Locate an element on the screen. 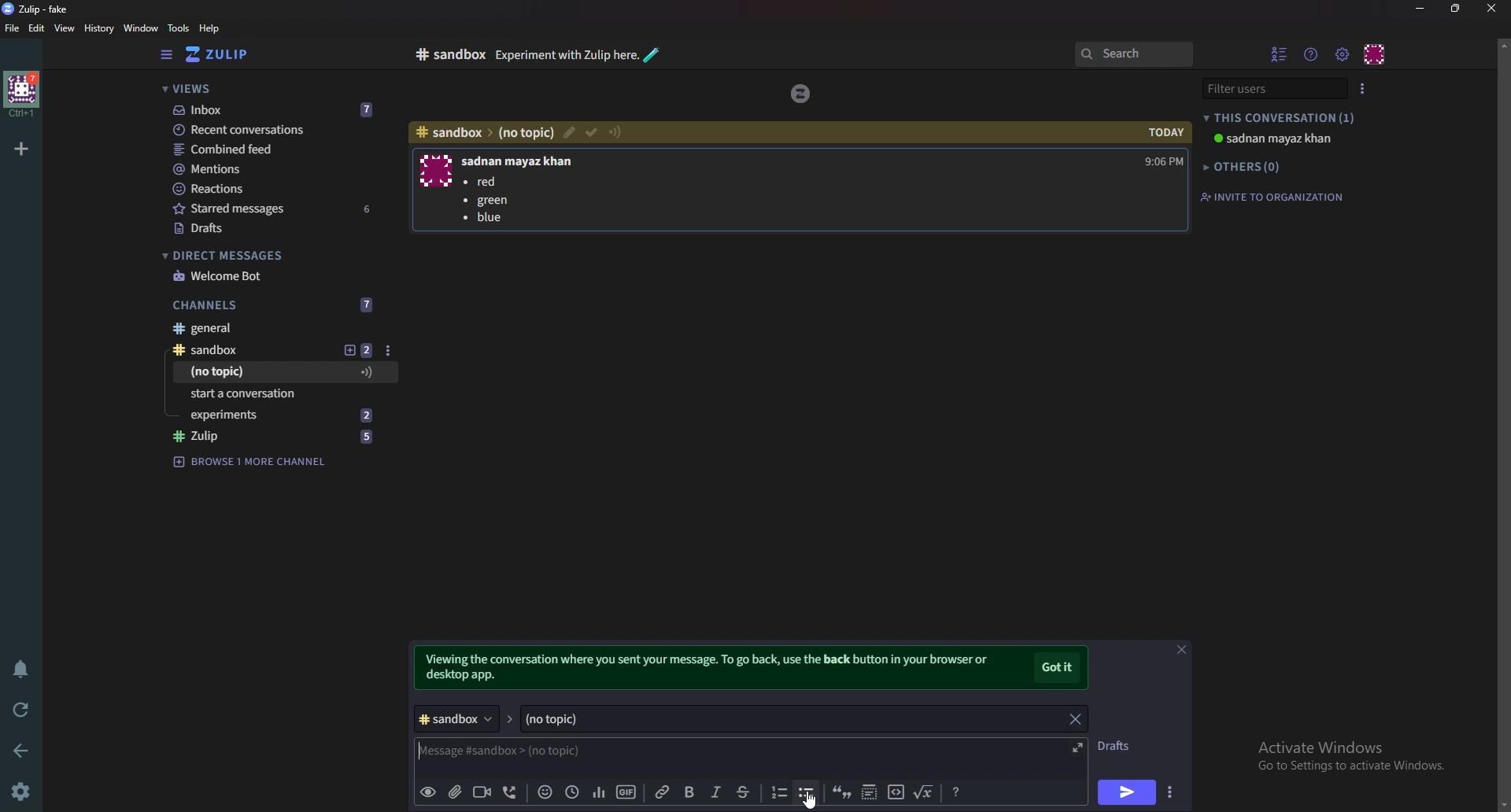 The image size is (1511, 812). zulip is located at coordinates (803, 91).